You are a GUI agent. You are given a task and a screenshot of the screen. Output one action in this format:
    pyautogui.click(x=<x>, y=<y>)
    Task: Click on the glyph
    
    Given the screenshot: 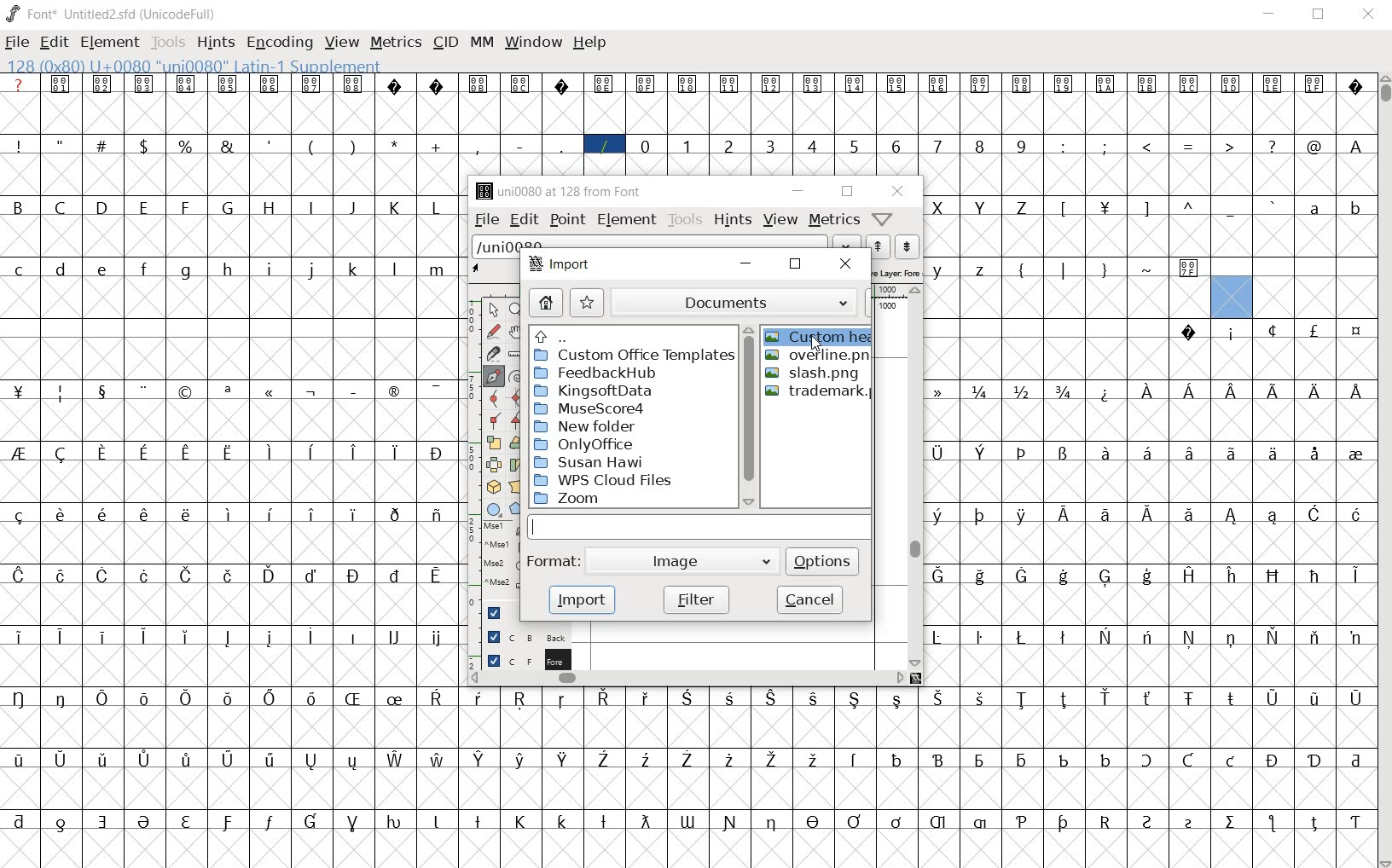 What is the action you would take?
    pyautogui.click(x=1064, y=209)
    